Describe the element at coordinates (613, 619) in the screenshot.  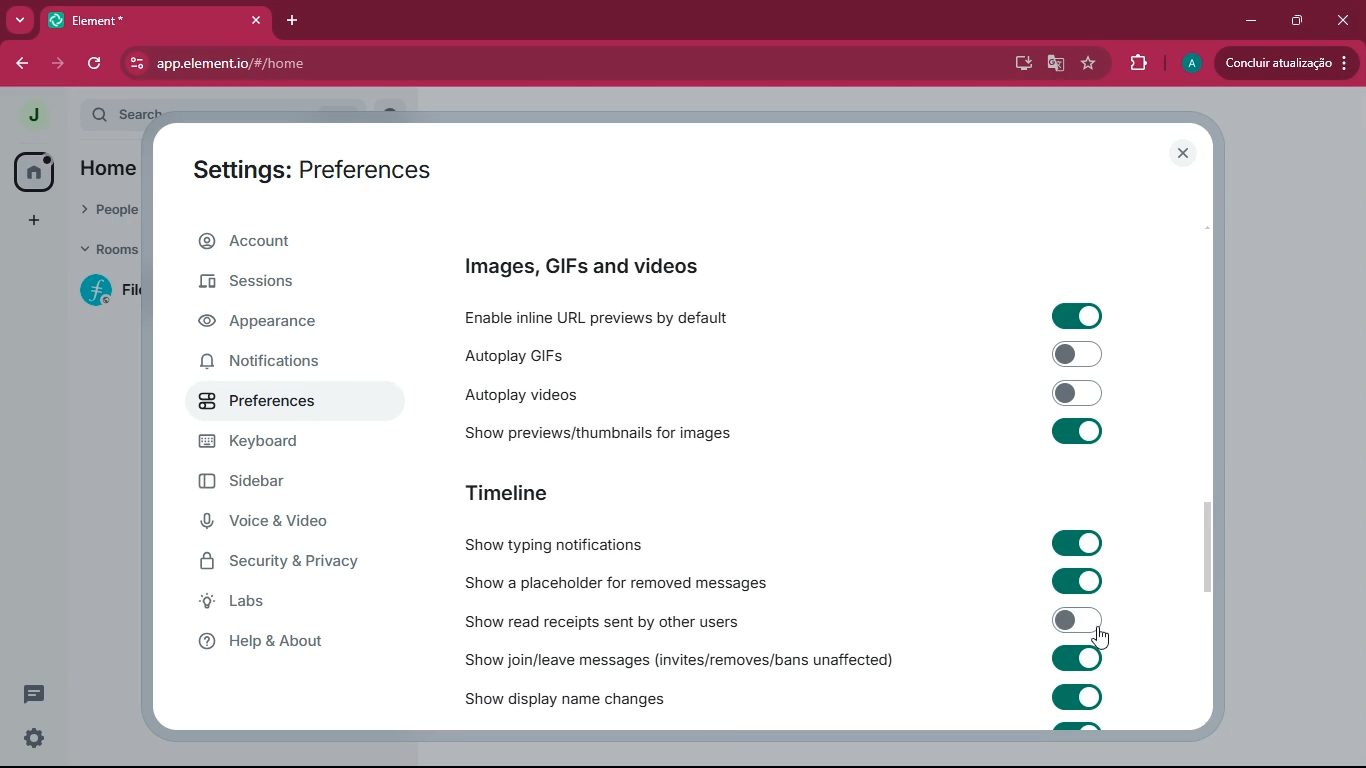
I see `show read receipts sent by others users` at that location.